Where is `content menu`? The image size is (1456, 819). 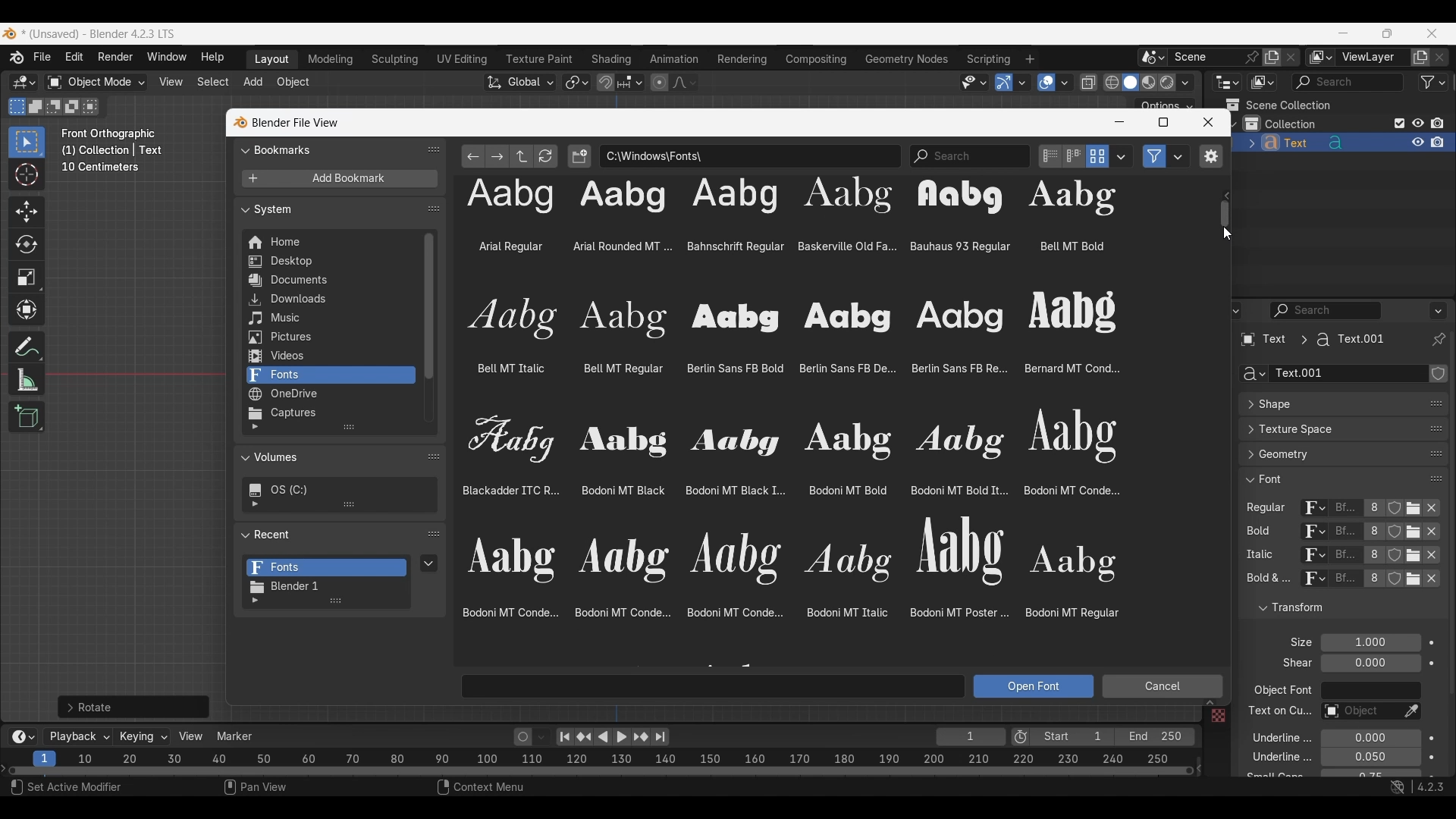
content menu is located at coordinates (471, 789).